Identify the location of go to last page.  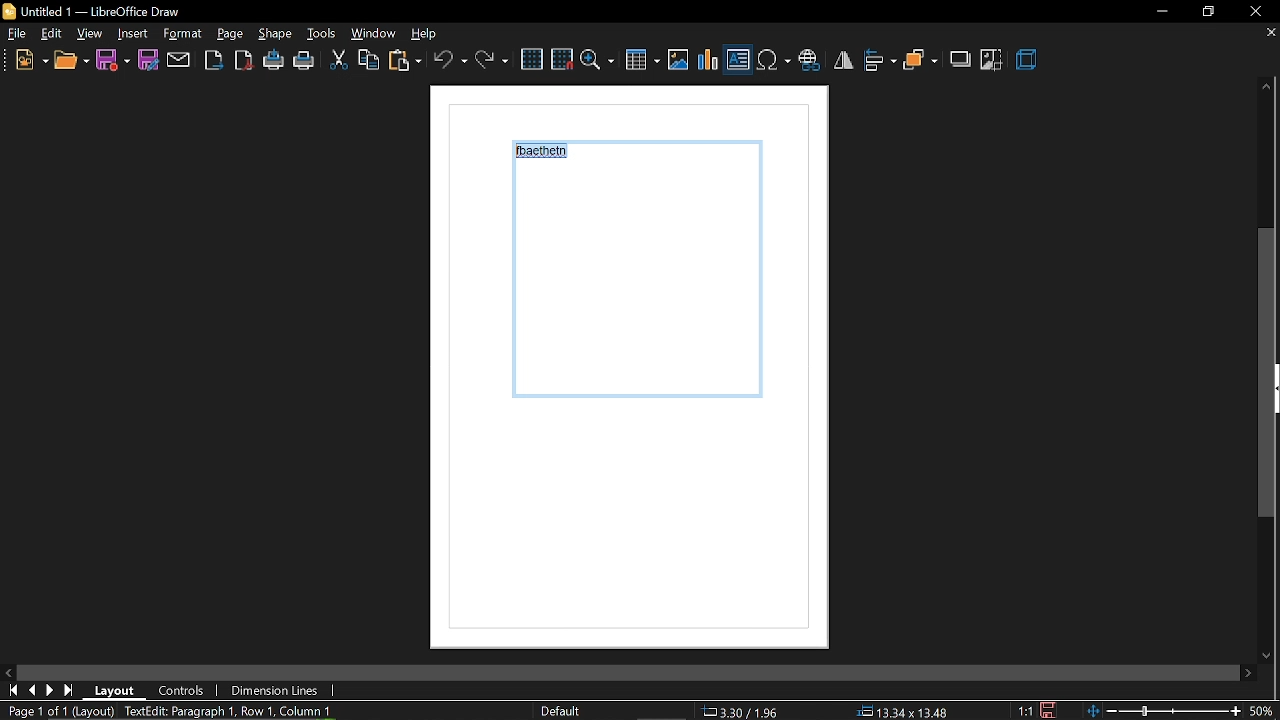
(69, 691).